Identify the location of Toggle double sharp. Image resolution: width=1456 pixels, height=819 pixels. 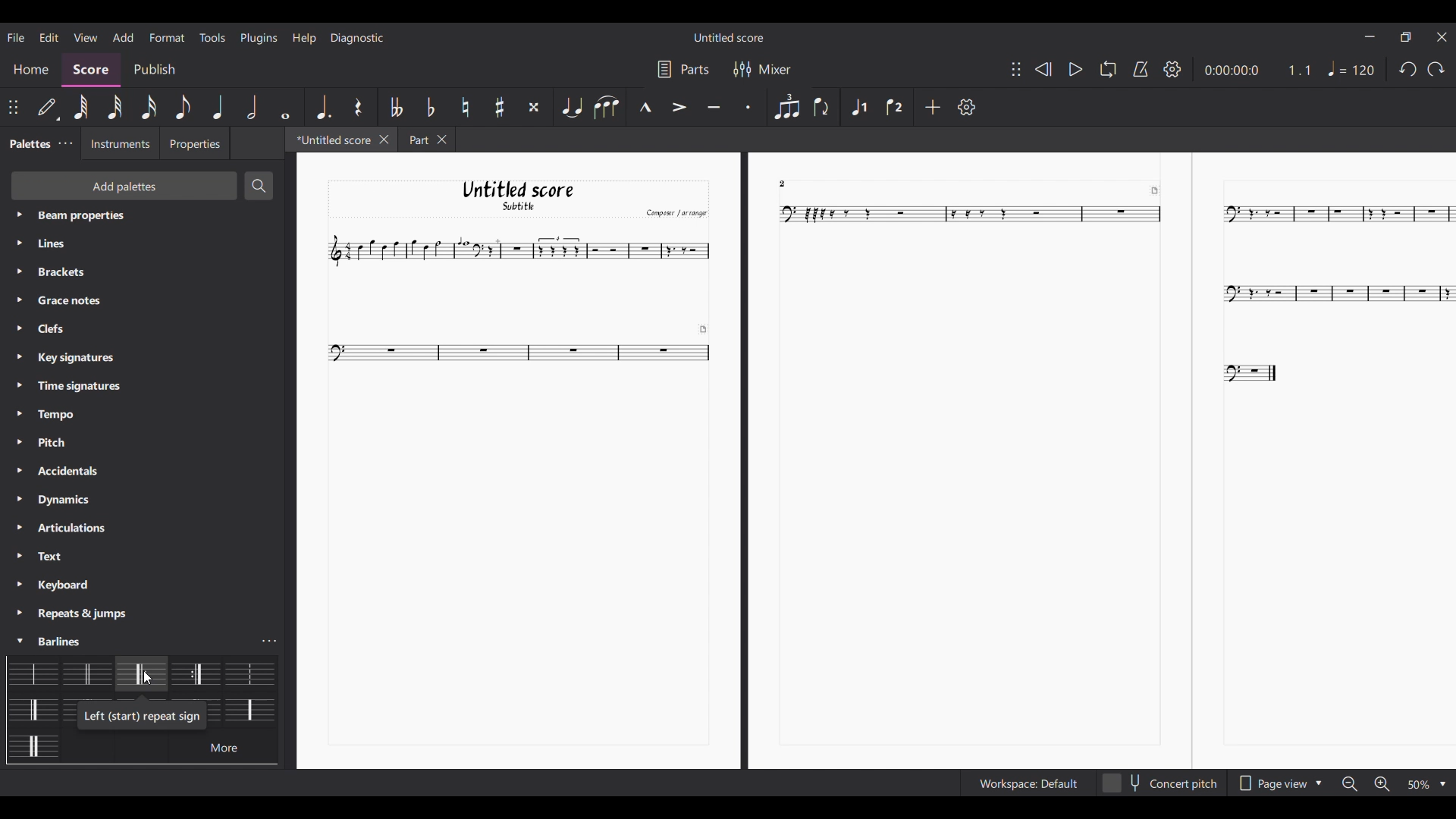
(535, 107).